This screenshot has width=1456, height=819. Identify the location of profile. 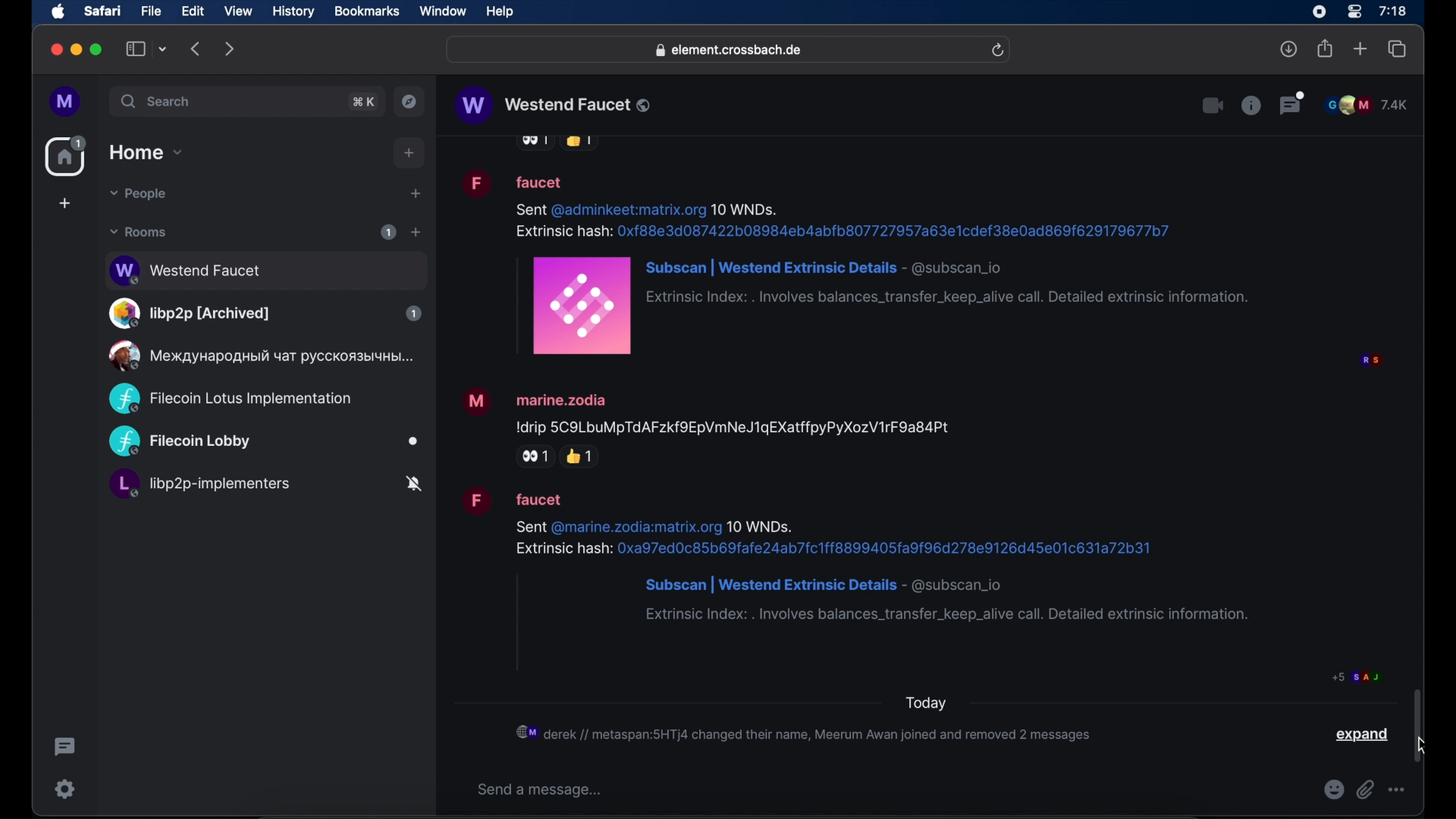
(66, 102).